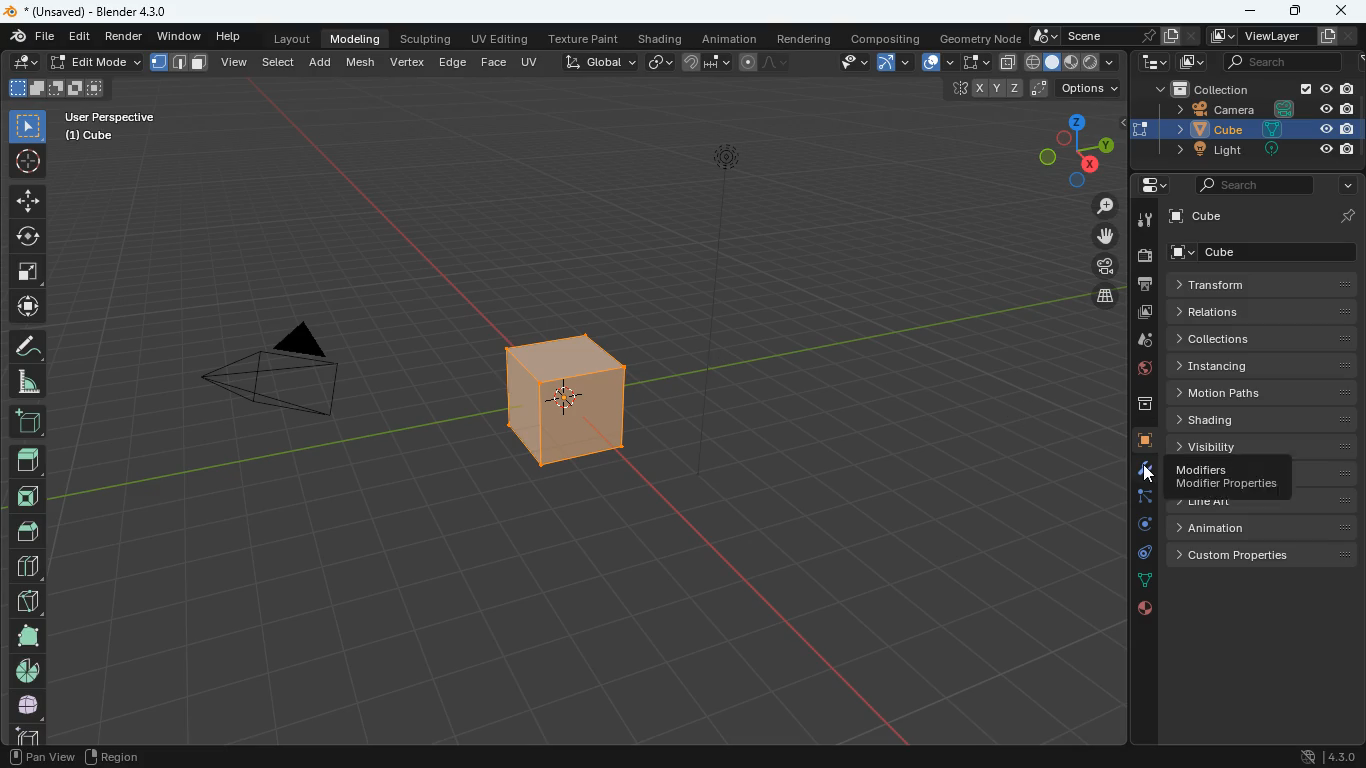  What do you see at coordinates (1225, 478) in the screenshot?
I see `modifiers` at bounding box center [1225, 478].